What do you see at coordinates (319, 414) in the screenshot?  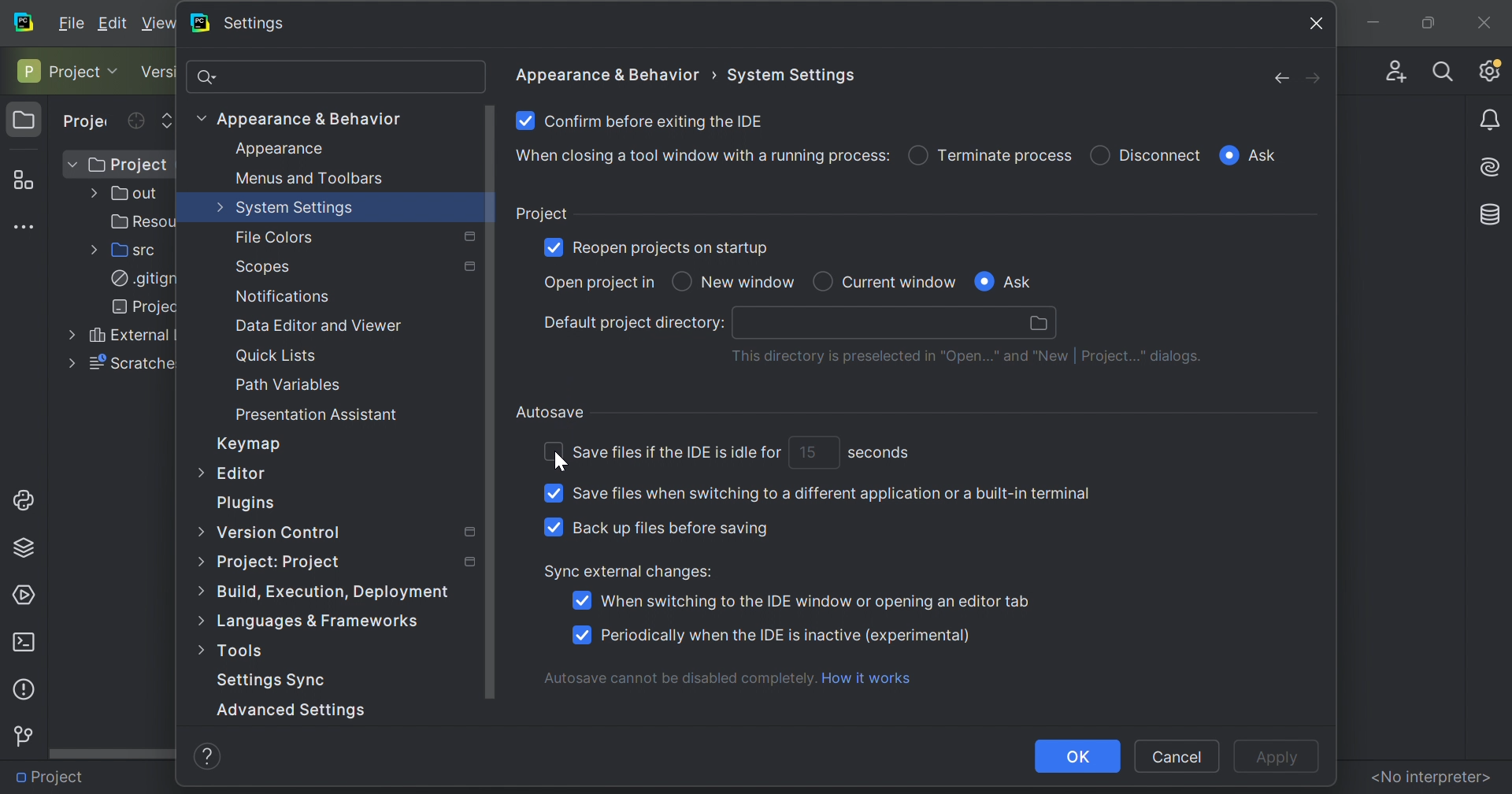 I see `Presentation Assistant` at bounding box center [319, 414].